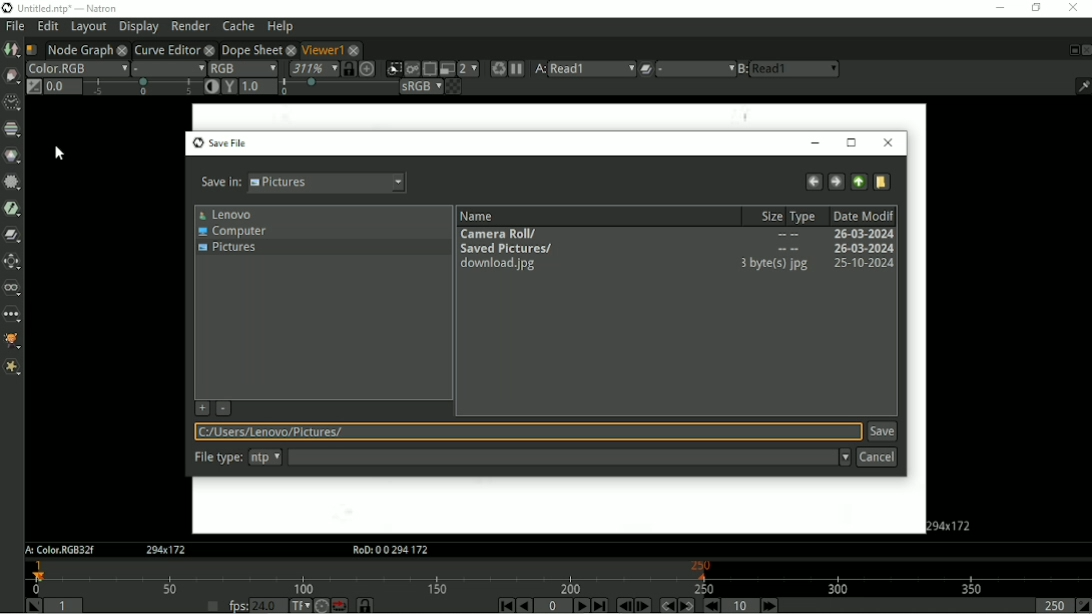  What do you see at coordinates (217, 184) in the screenshot?
I see `Save in` at bounding box center [217, 184].